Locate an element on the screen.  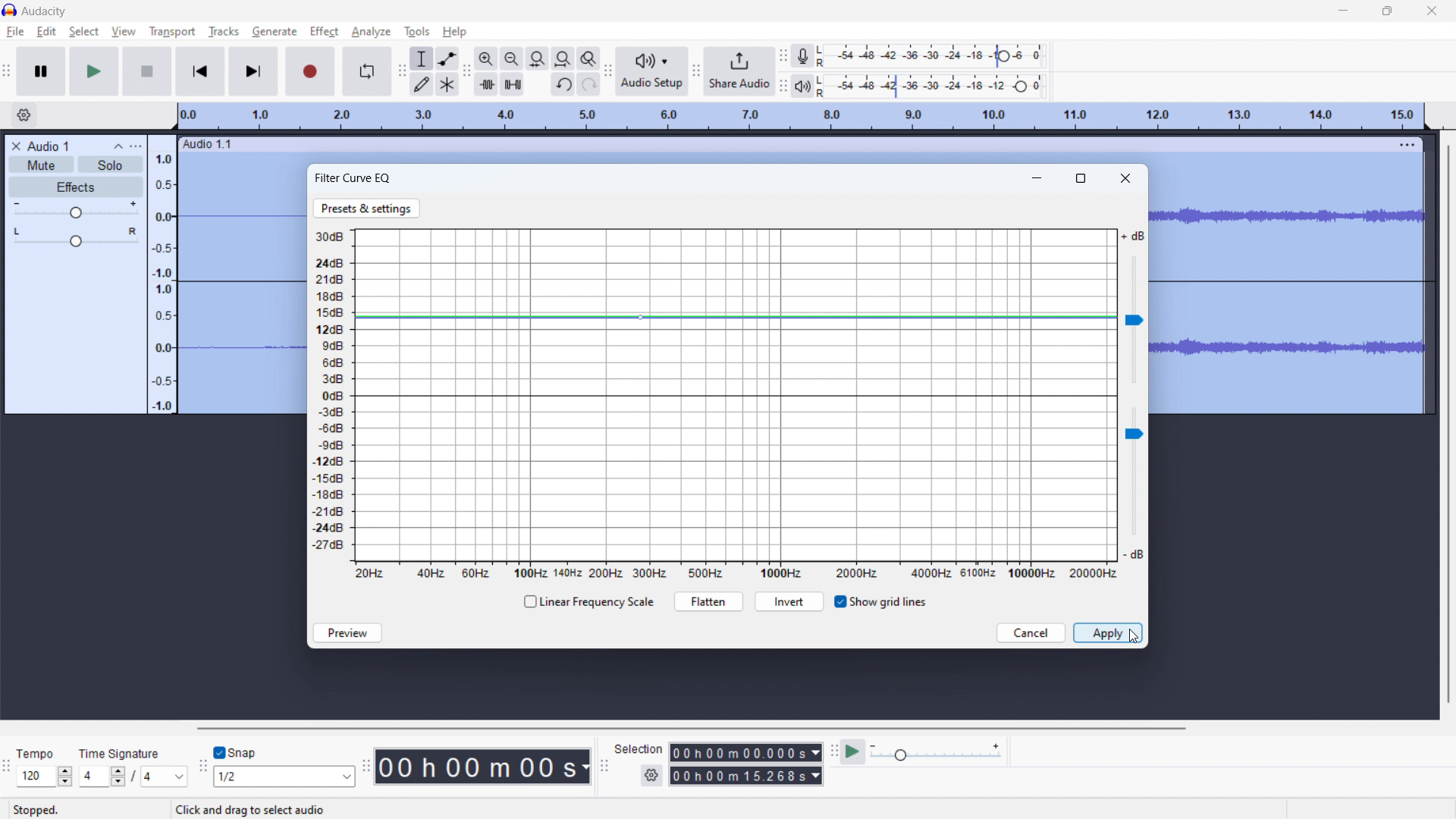
select is located at coordinates (83, 32).